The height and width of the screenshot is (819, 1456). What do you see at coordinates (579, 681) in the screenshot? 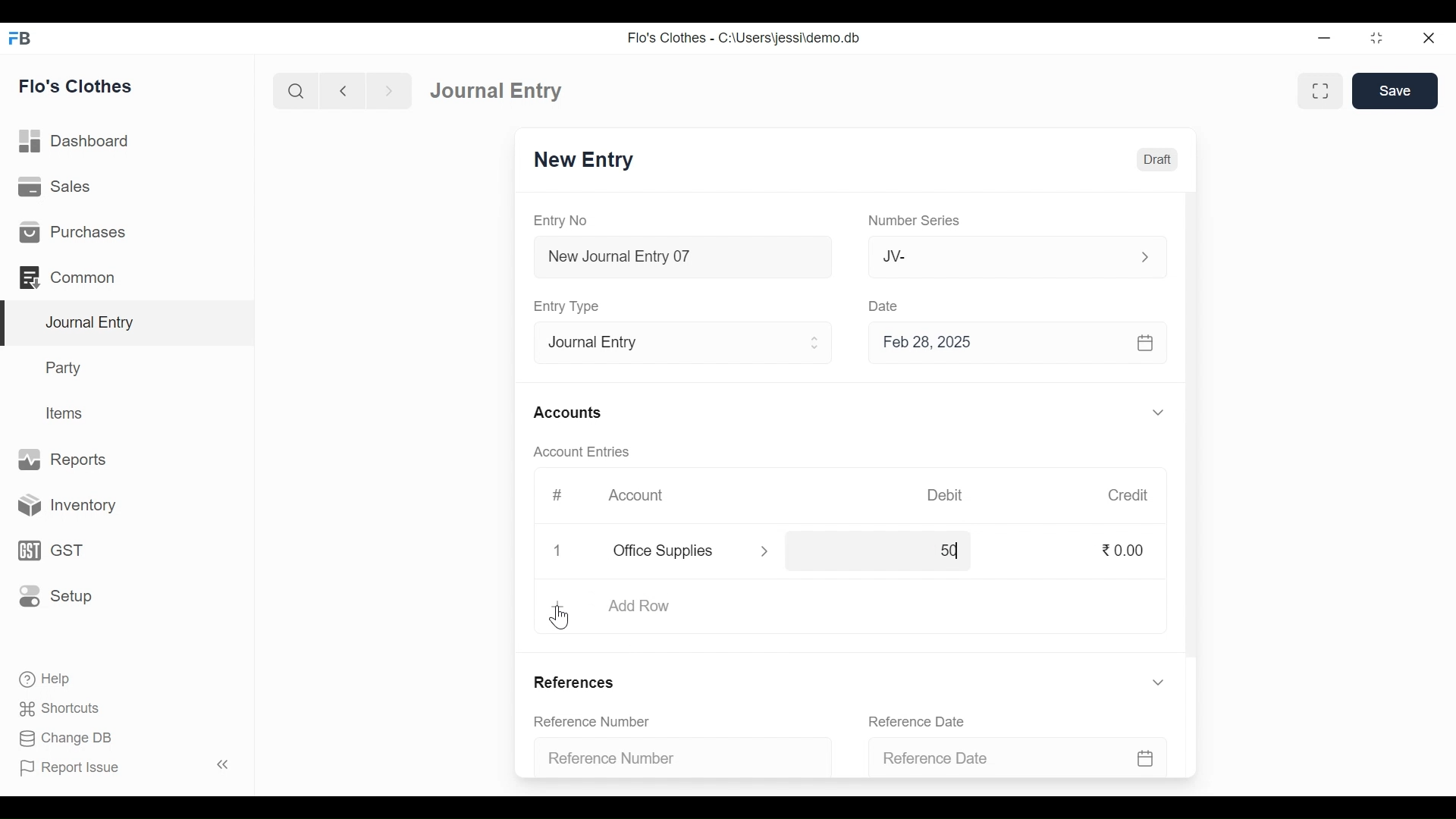
I see `References` at bounding box center [579, 681].